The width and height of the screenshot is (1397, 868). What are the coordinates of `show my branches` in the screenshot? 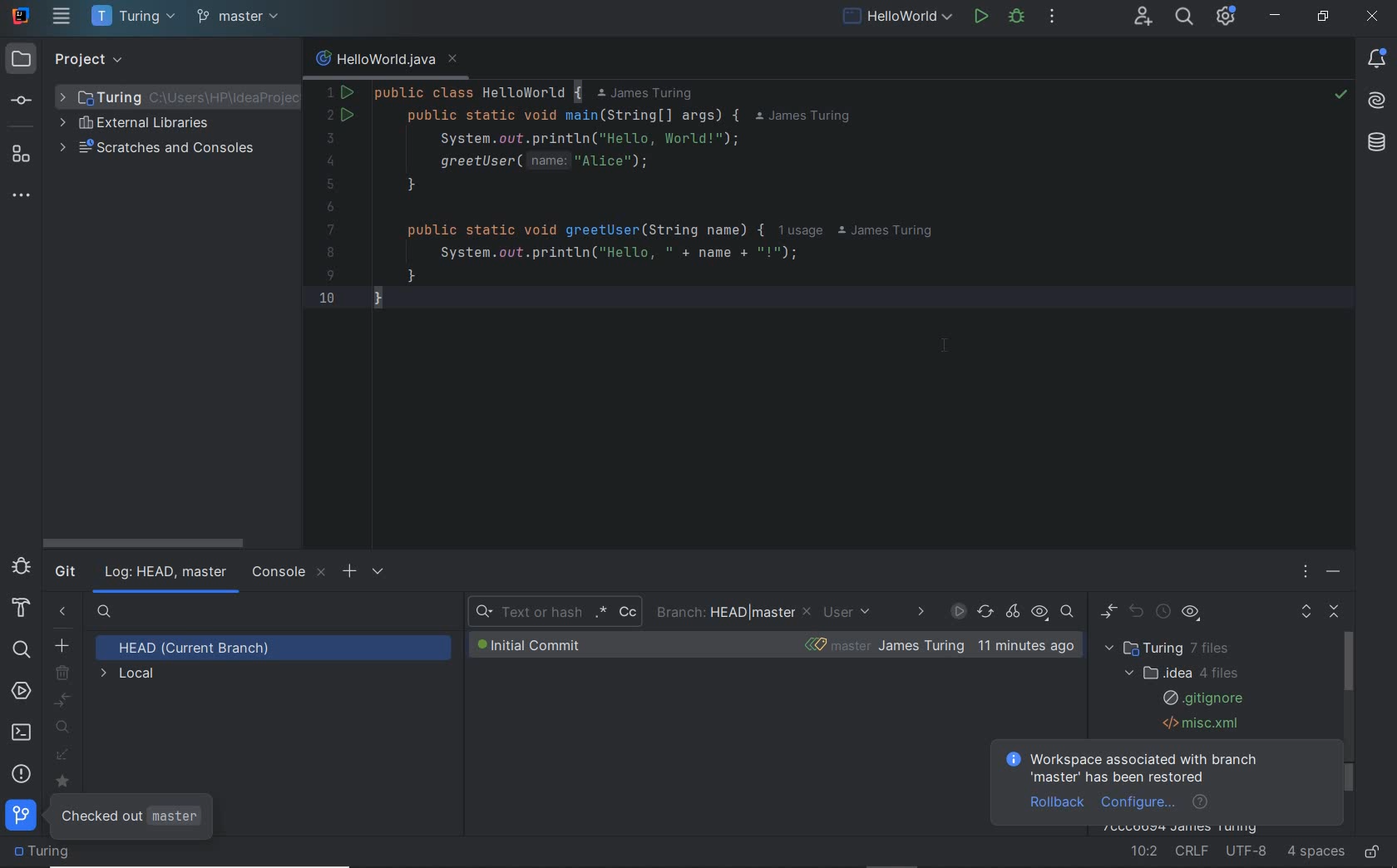 It's located at (65, 727).